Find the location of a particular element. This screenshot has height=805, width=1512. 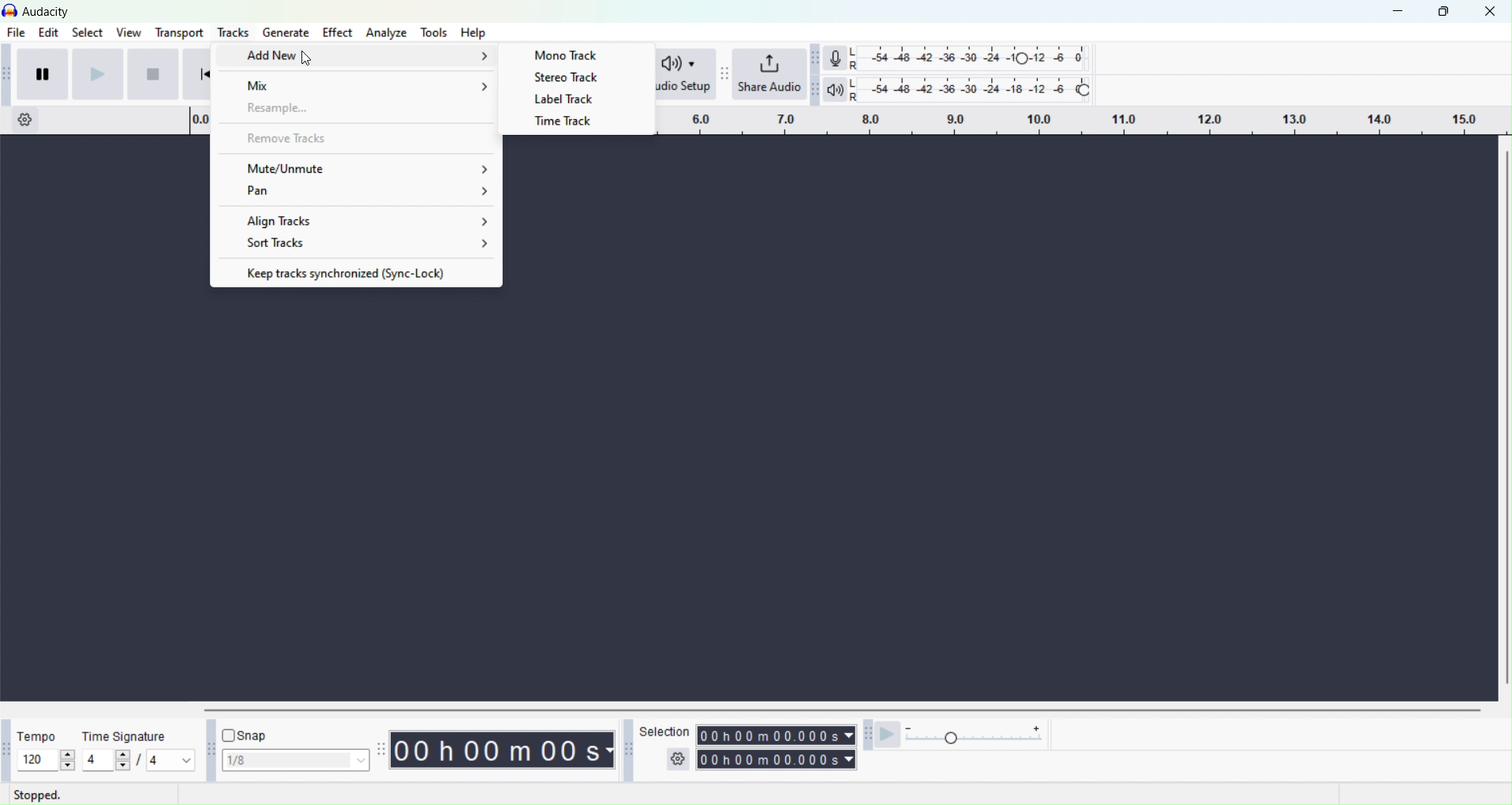

Select is located at coordinates (86, 33).